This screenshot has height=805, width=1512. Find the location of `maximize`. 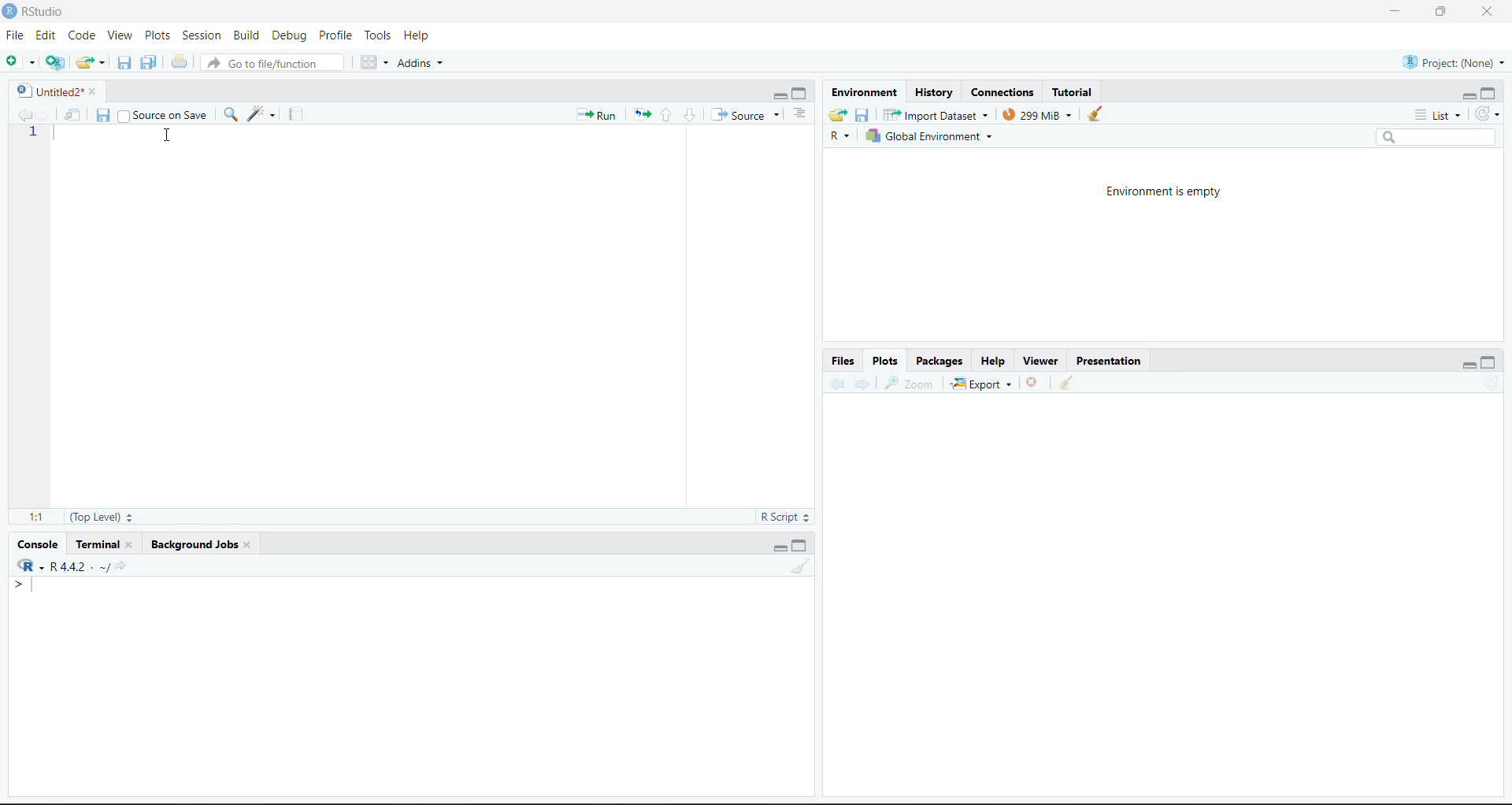

maximize is located at coordinates (799, 93).